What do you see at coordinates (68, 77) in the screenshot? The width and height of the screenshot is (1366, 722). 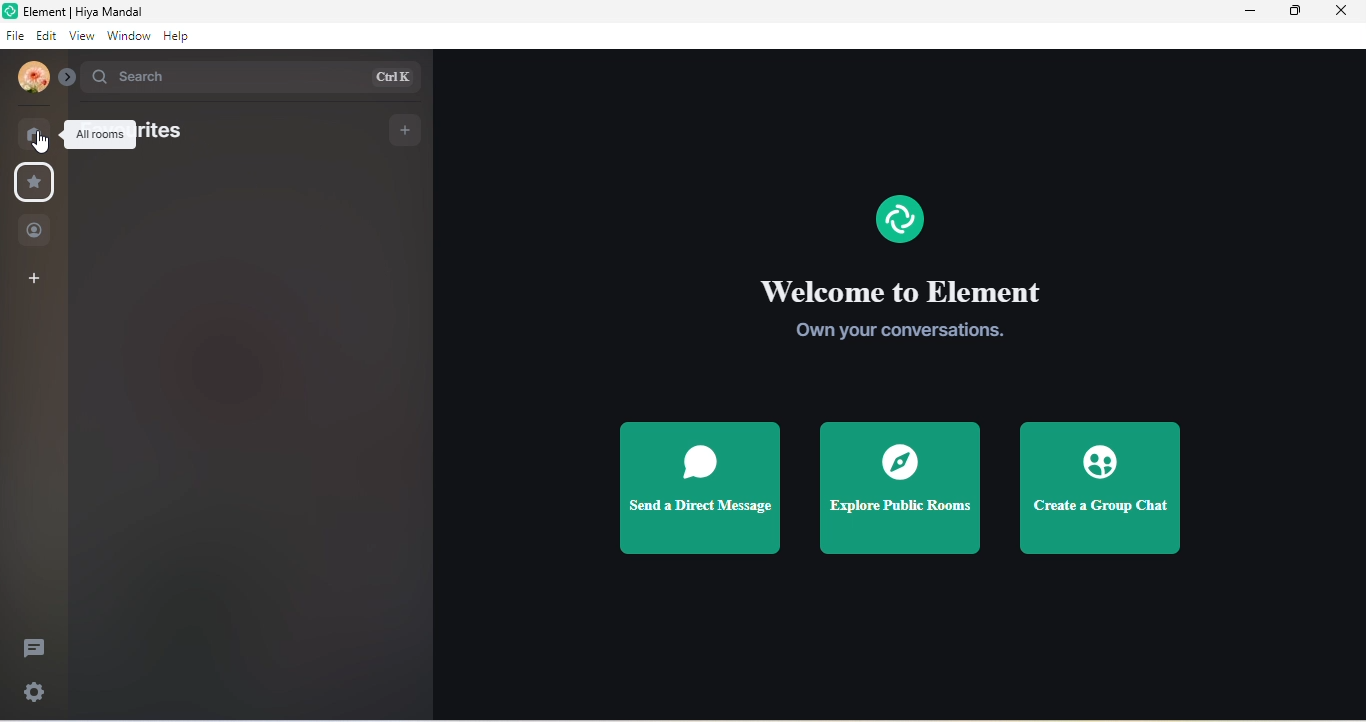 I see `expand` at bounding box center [68, 77].